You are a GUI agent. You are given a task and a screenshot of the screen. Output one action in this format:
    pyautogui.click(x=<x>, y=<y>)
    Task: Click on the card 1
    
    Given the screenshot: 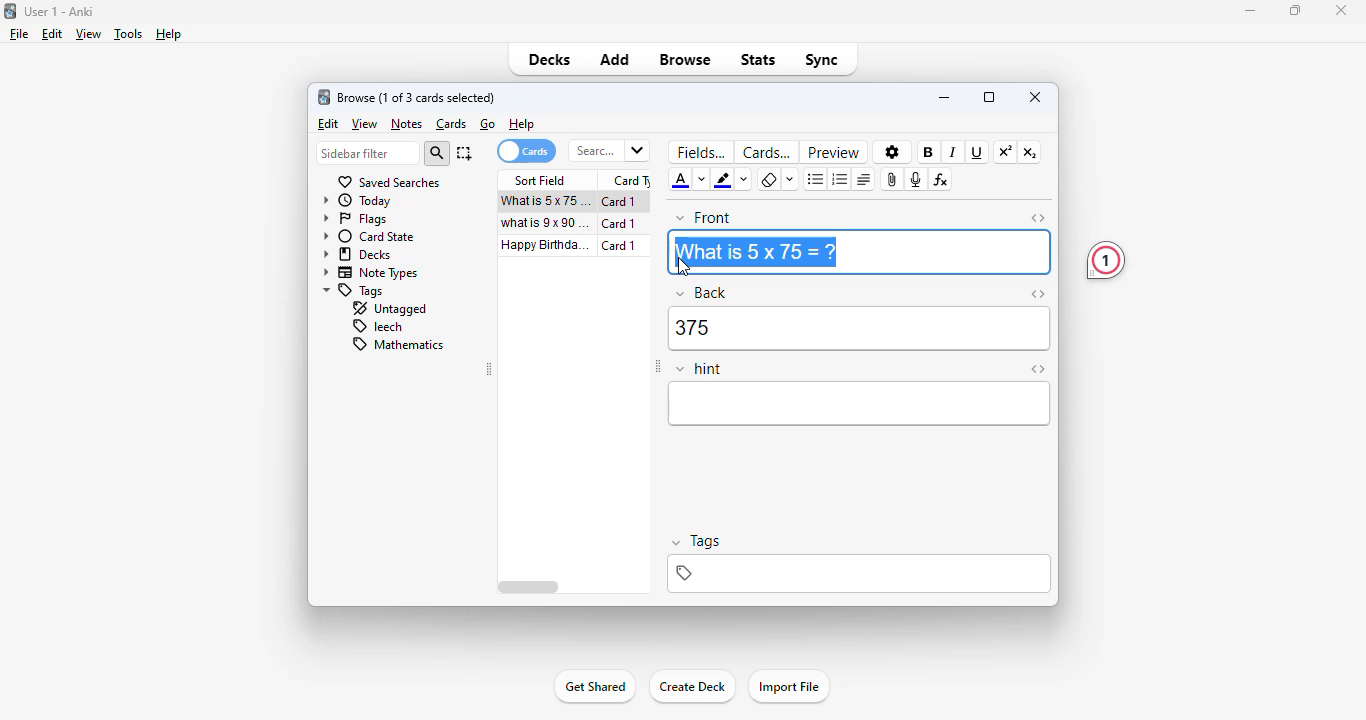 What is the action you would take?
    pyautogui.click(x=619, y=246)
    